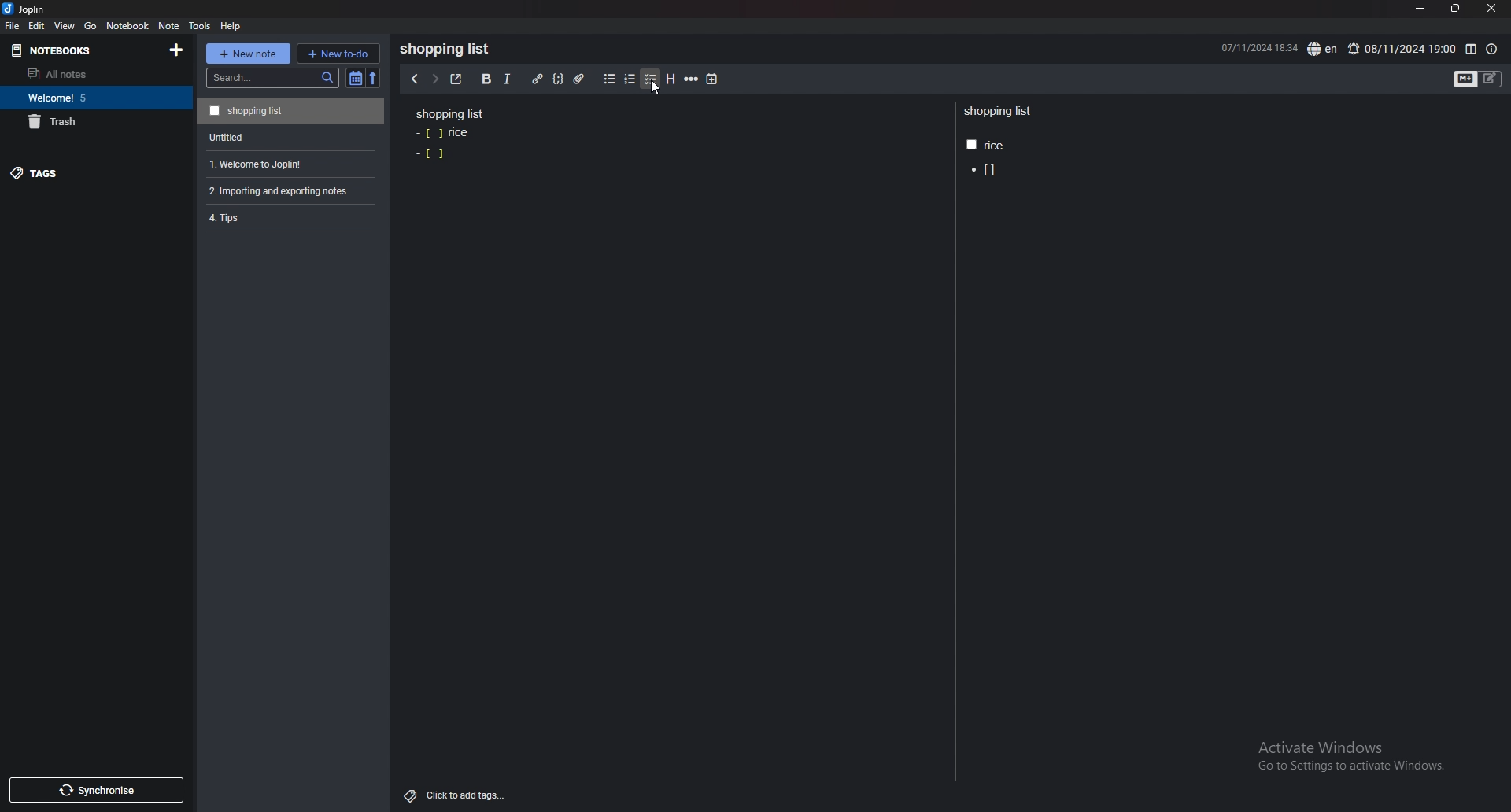 Image resolution: width=1511 pixels, height=812 pixels. I want to click on numbered list, so click(630, 79).